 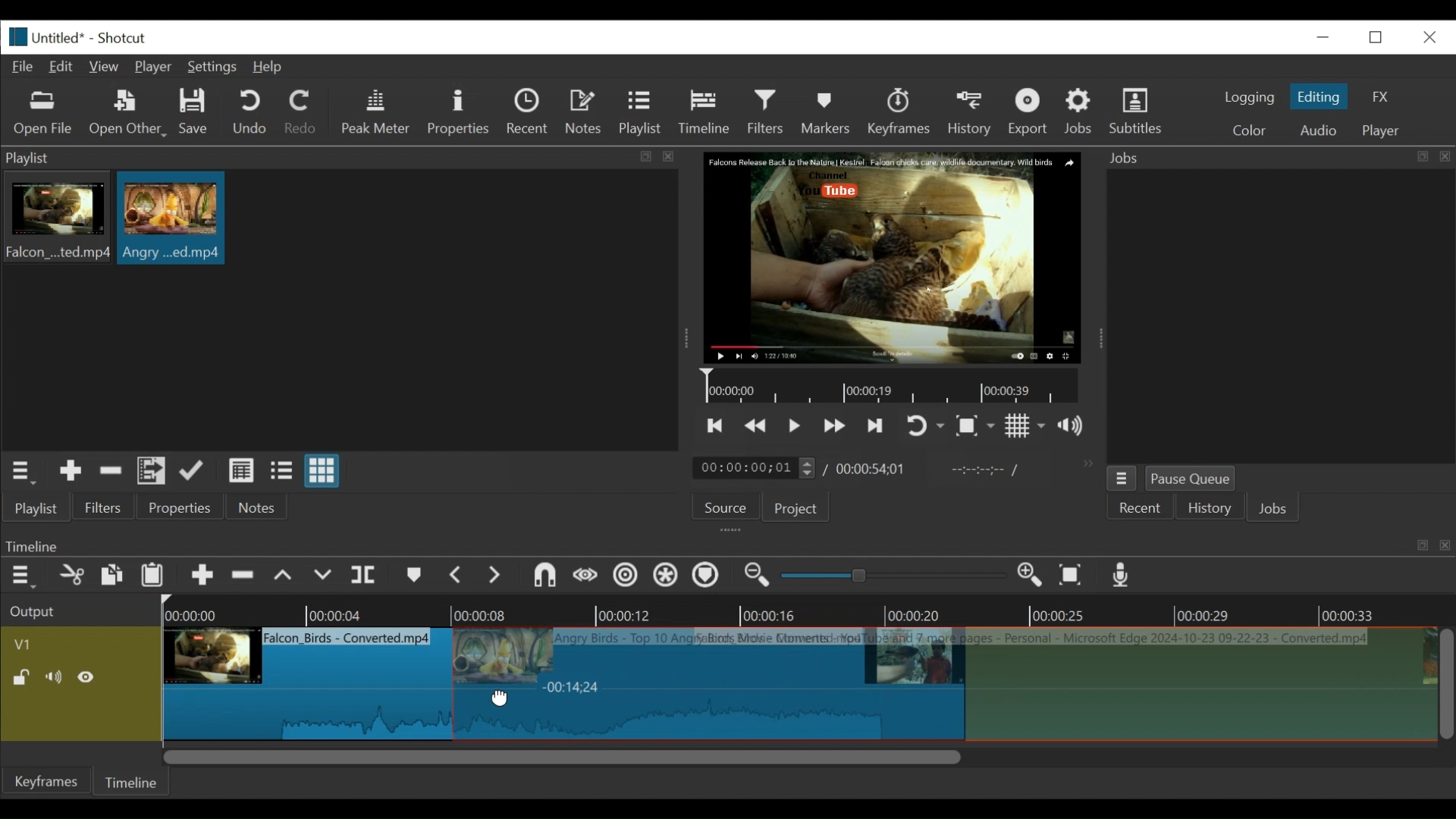 I want to click on playlist, so click(x=35, y=508).